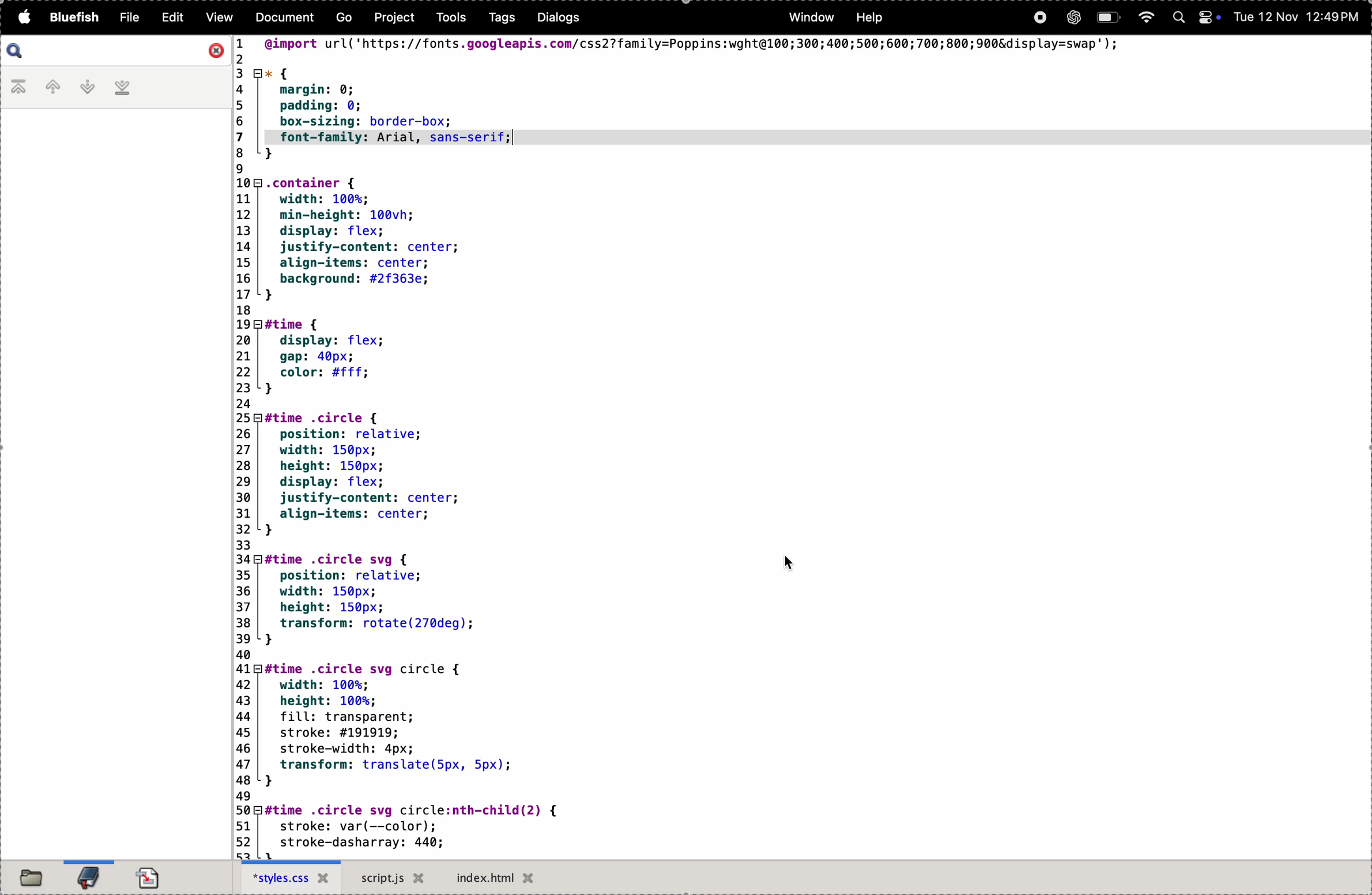  I want to click on project, so click(393, 19).